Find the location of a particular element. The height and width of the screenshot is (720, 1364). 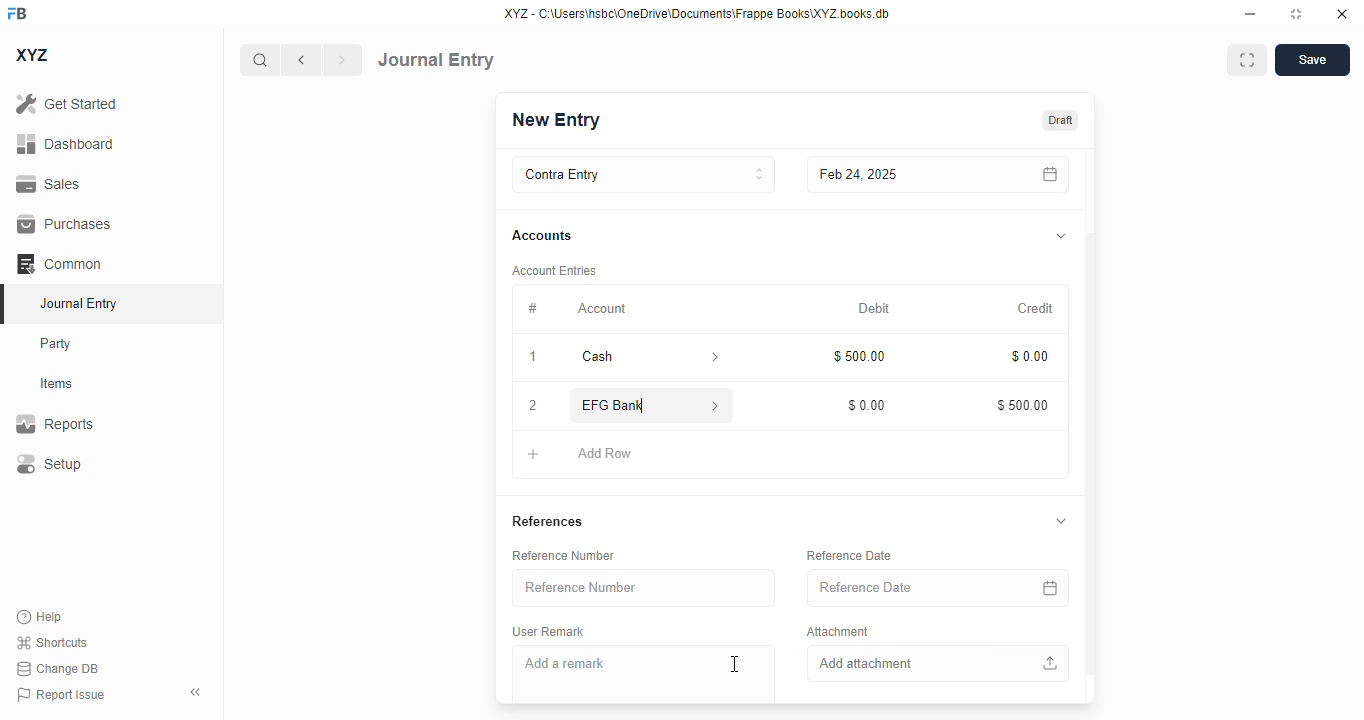

debit is located at coordinates (873, 309).